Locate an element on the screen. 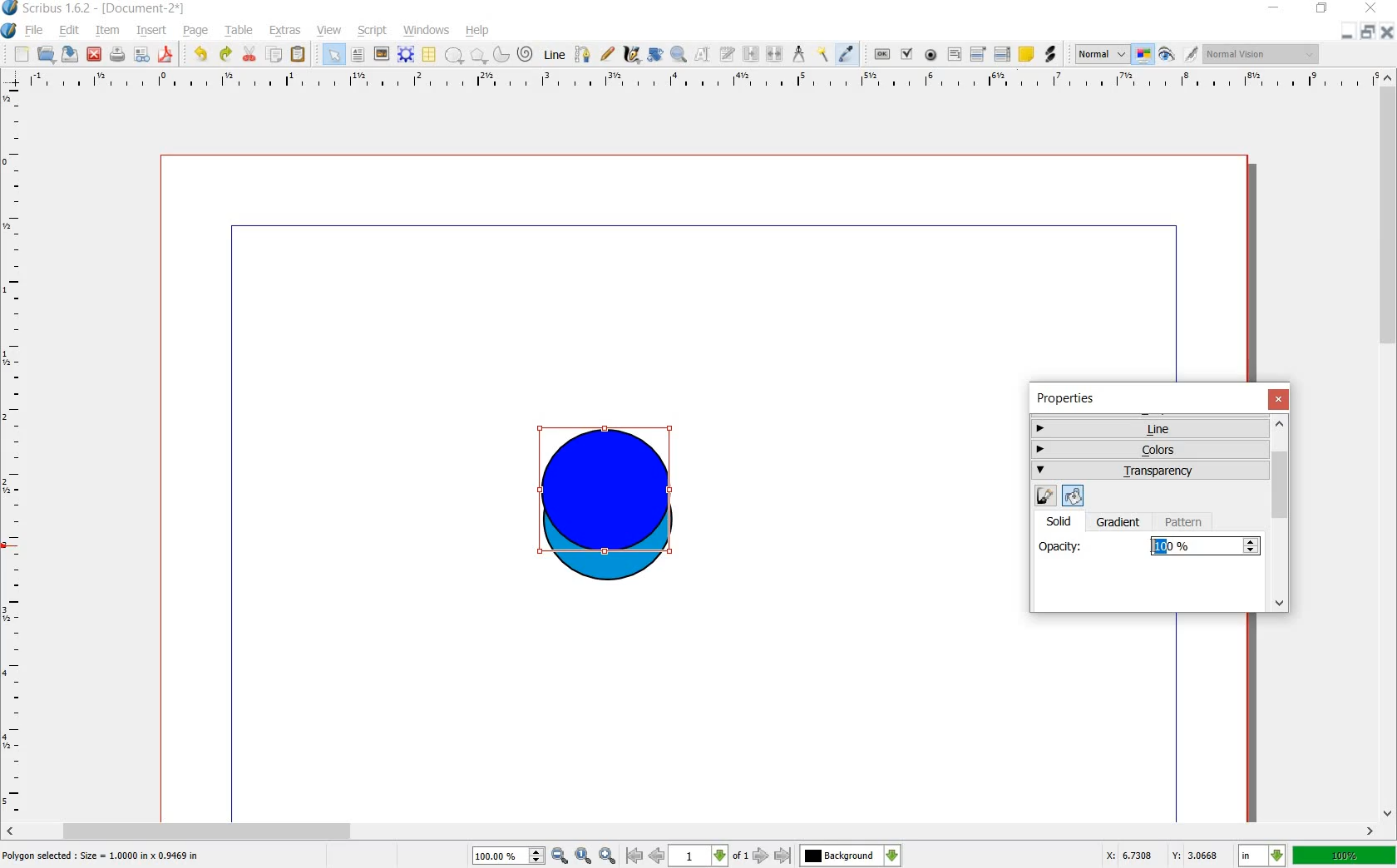 This screenshot has width=1397, height=868. pdf push button is located at coordinates (881, 55).